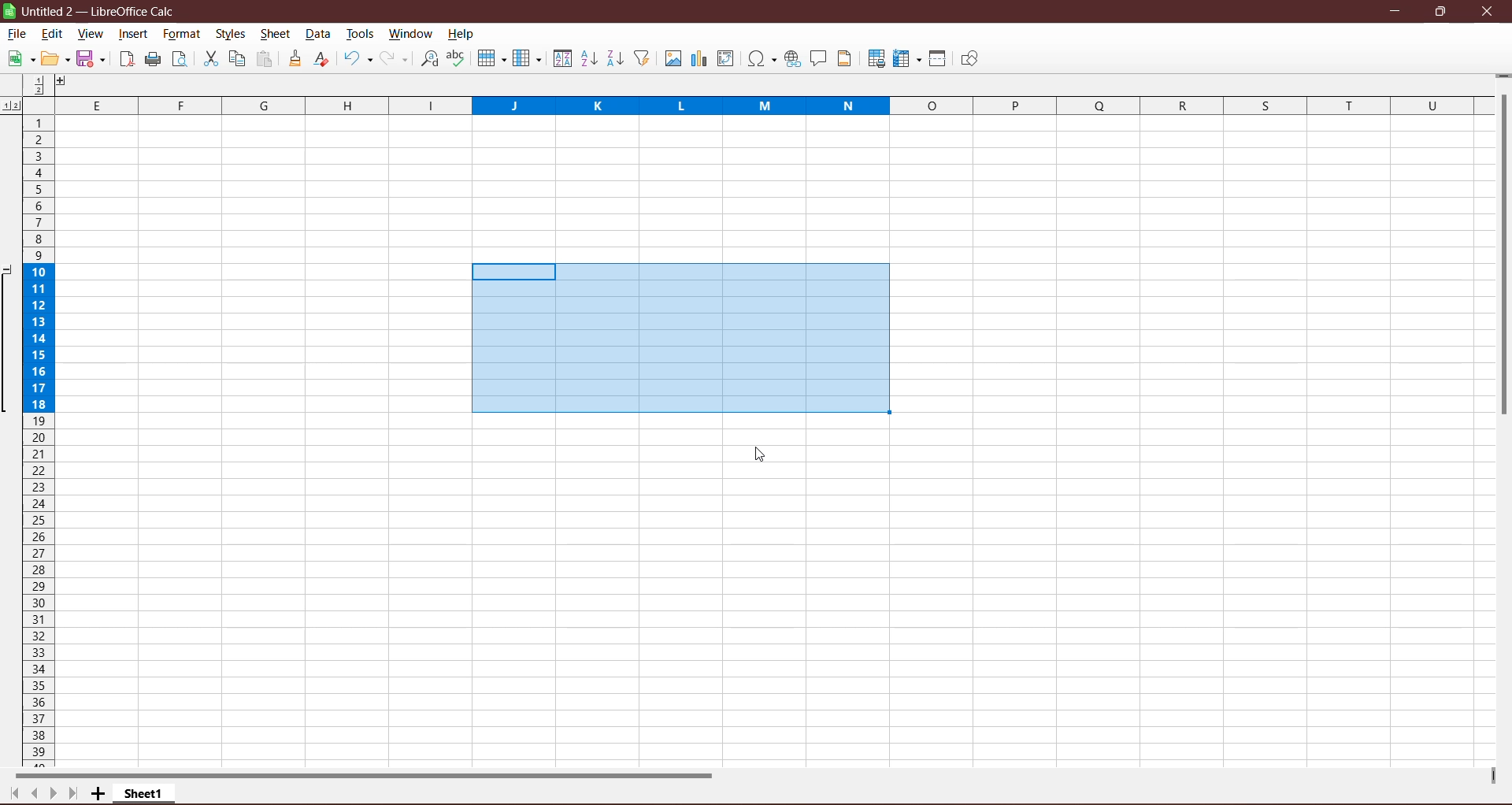 The image size is (1512, 805). Describe the element at coordinates (72, 795) in the screenshot. I see `Scroll to last page` at that location.